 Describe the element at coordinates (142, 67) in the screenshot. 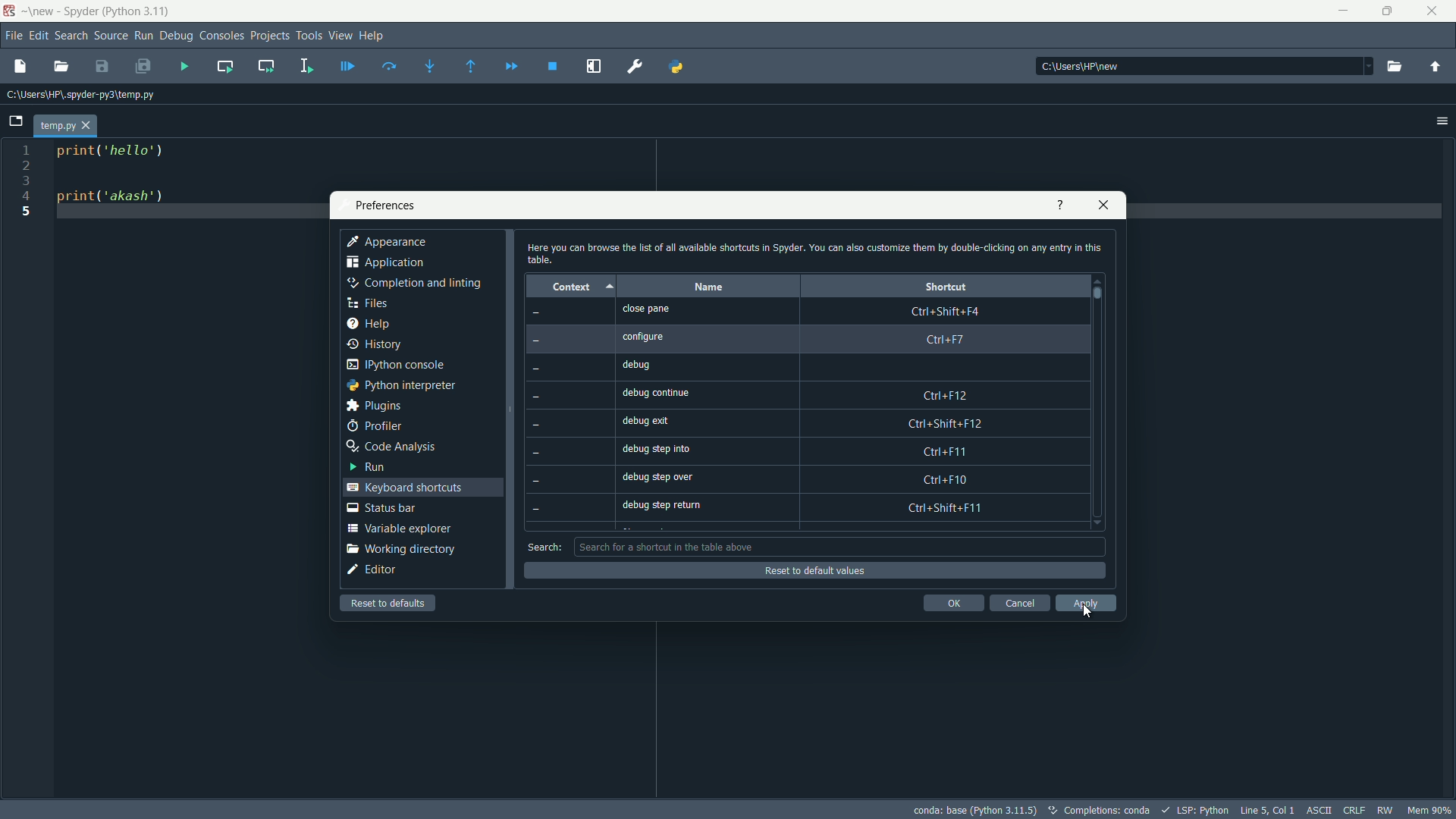

I see `save all files` at that location.